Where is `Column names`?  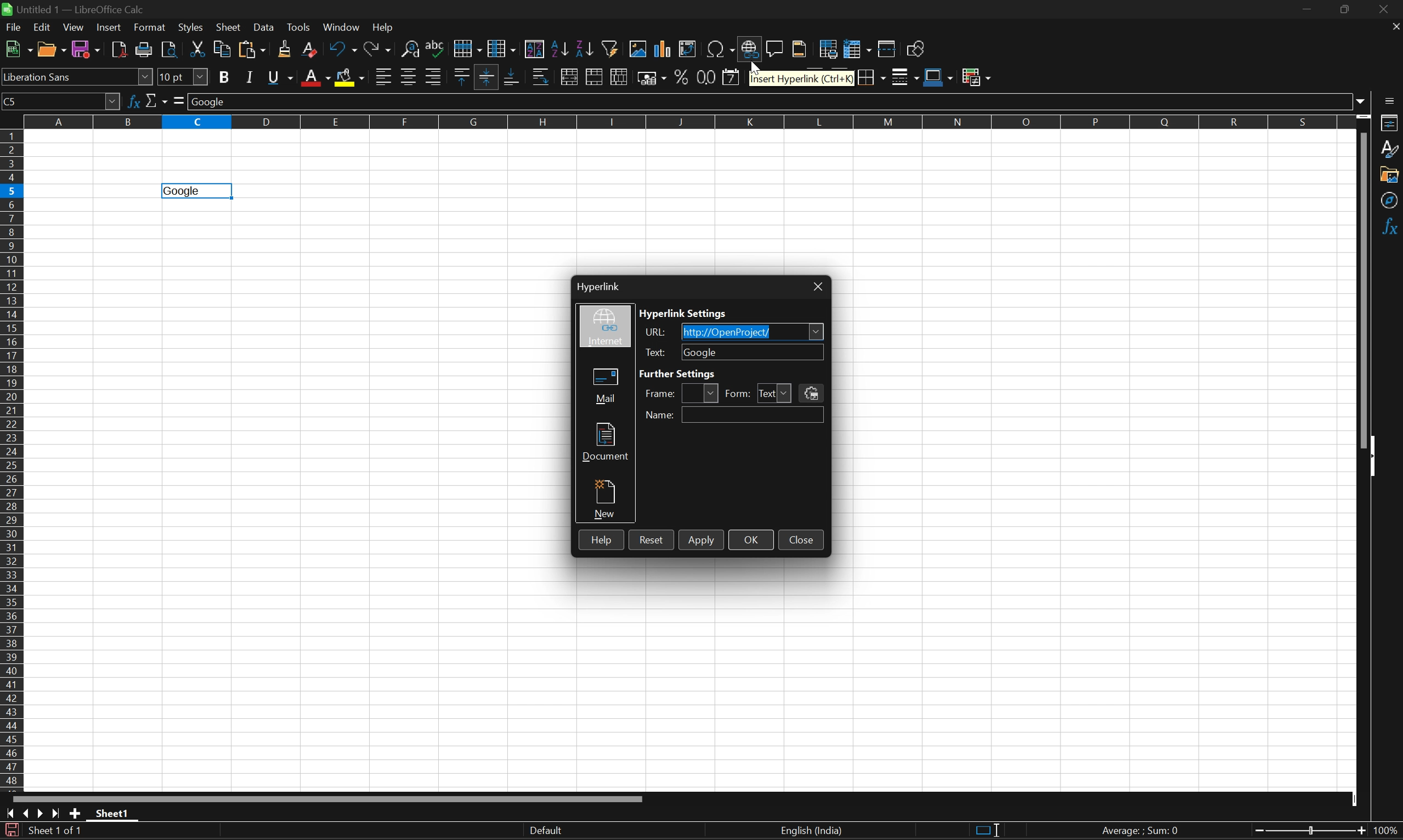
Column names is located at coordinates (685, 122).